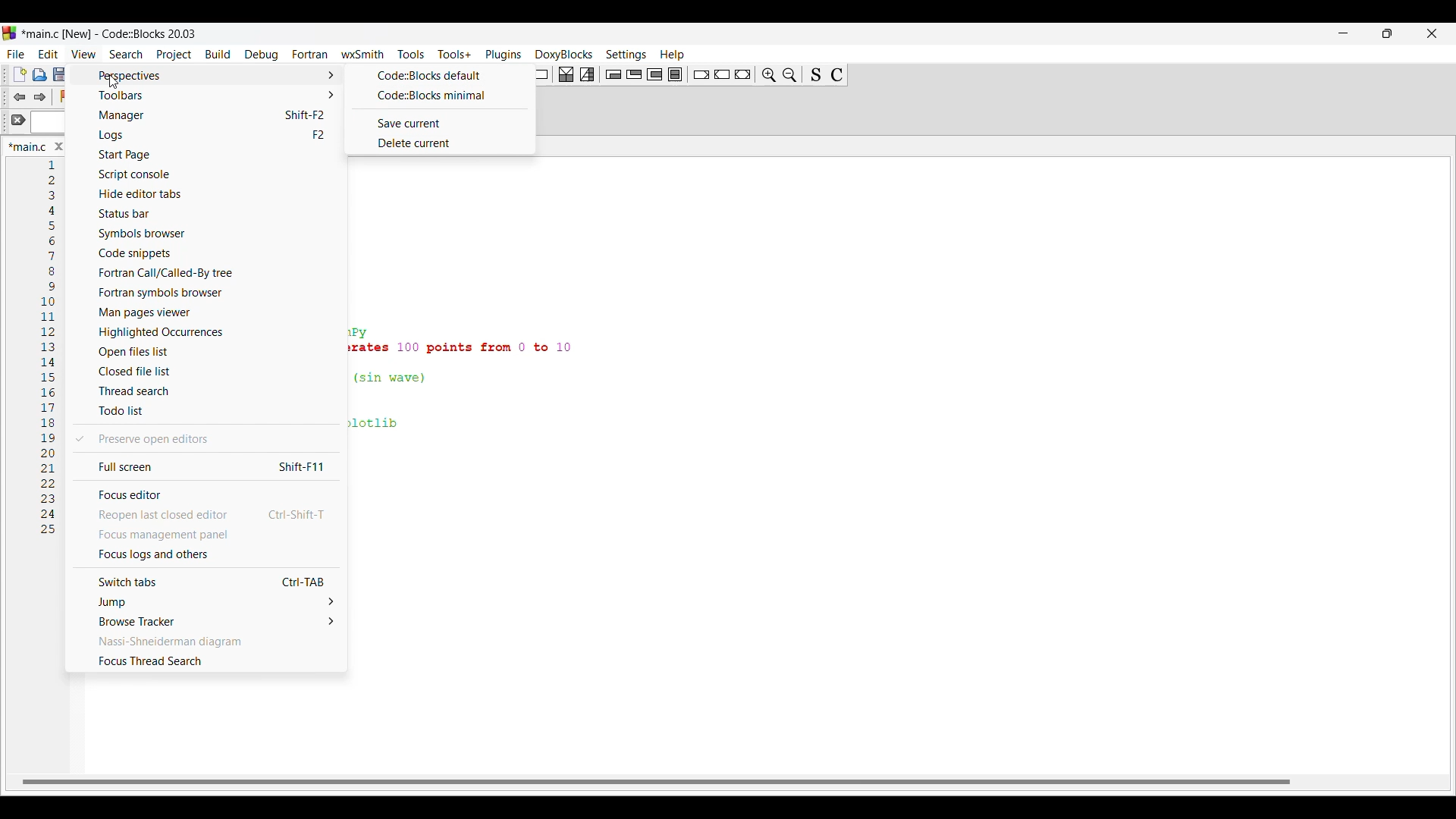 The height and width of the screenshot is (819, 1456). I want to click on Toggle source, so click(816, 74).